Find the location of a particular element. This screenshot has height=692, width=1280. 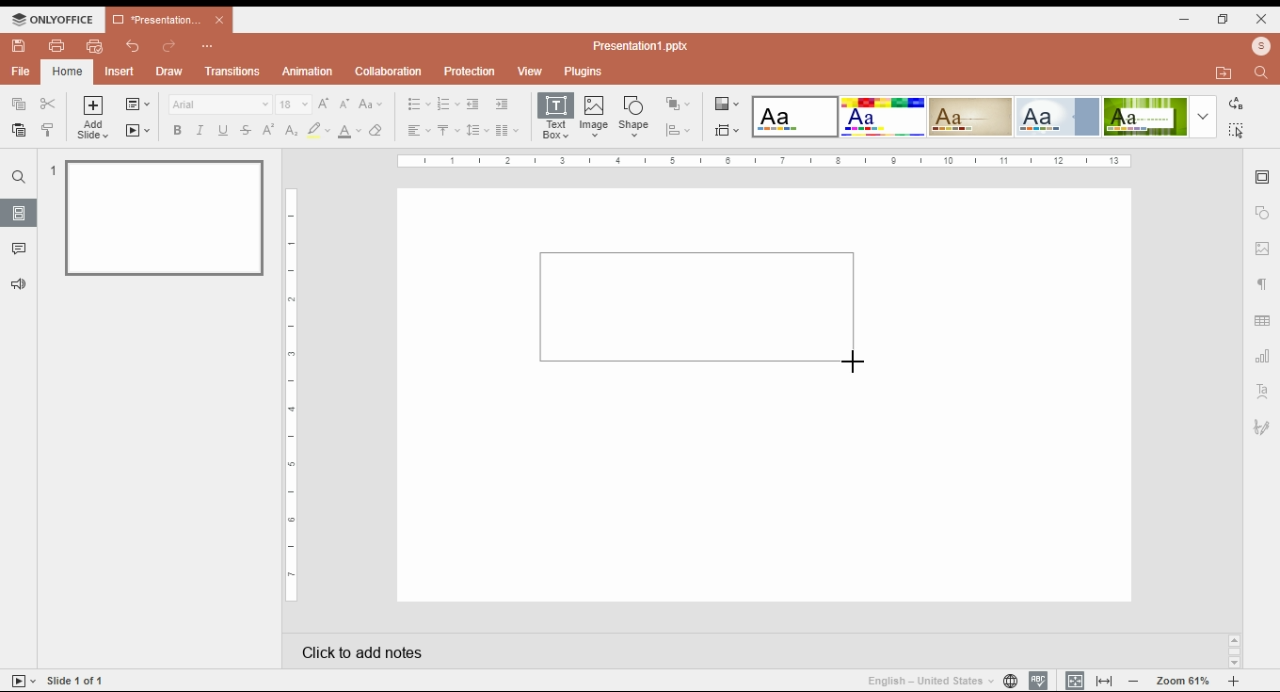

1 is located at coordinates (51, 170).